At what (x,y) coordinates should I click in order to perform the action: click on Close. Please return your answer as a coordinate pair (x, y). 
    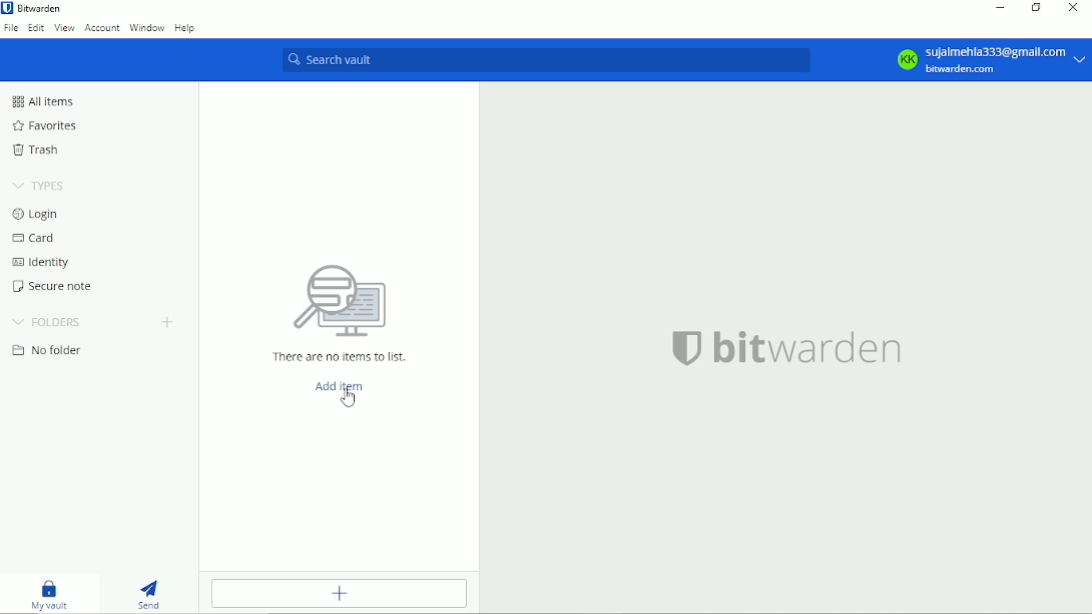
    Looking at the image, I should click on (1072, 8).